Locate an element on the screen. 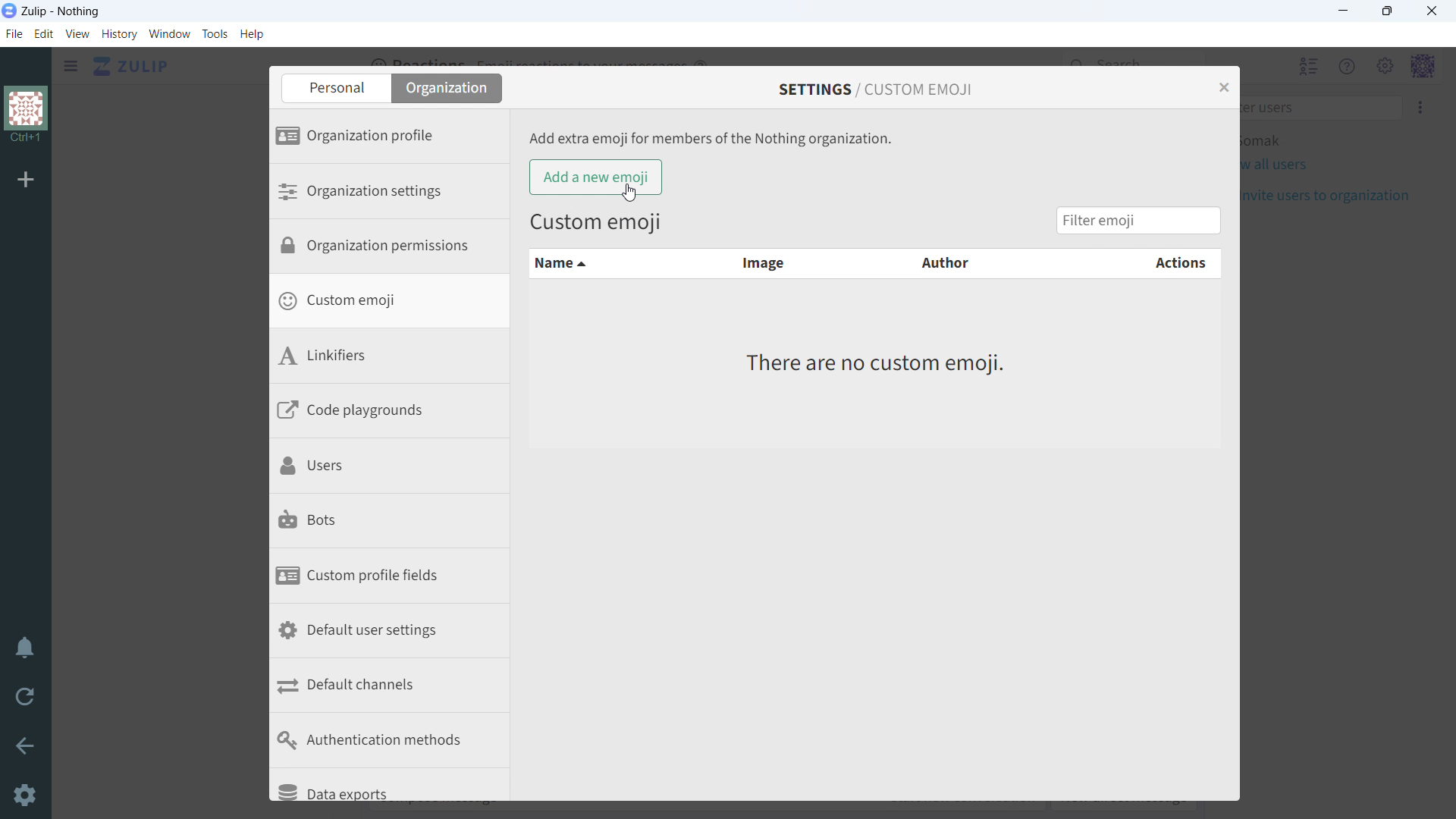  open sidebar menu is located at coordinates (71, 66).